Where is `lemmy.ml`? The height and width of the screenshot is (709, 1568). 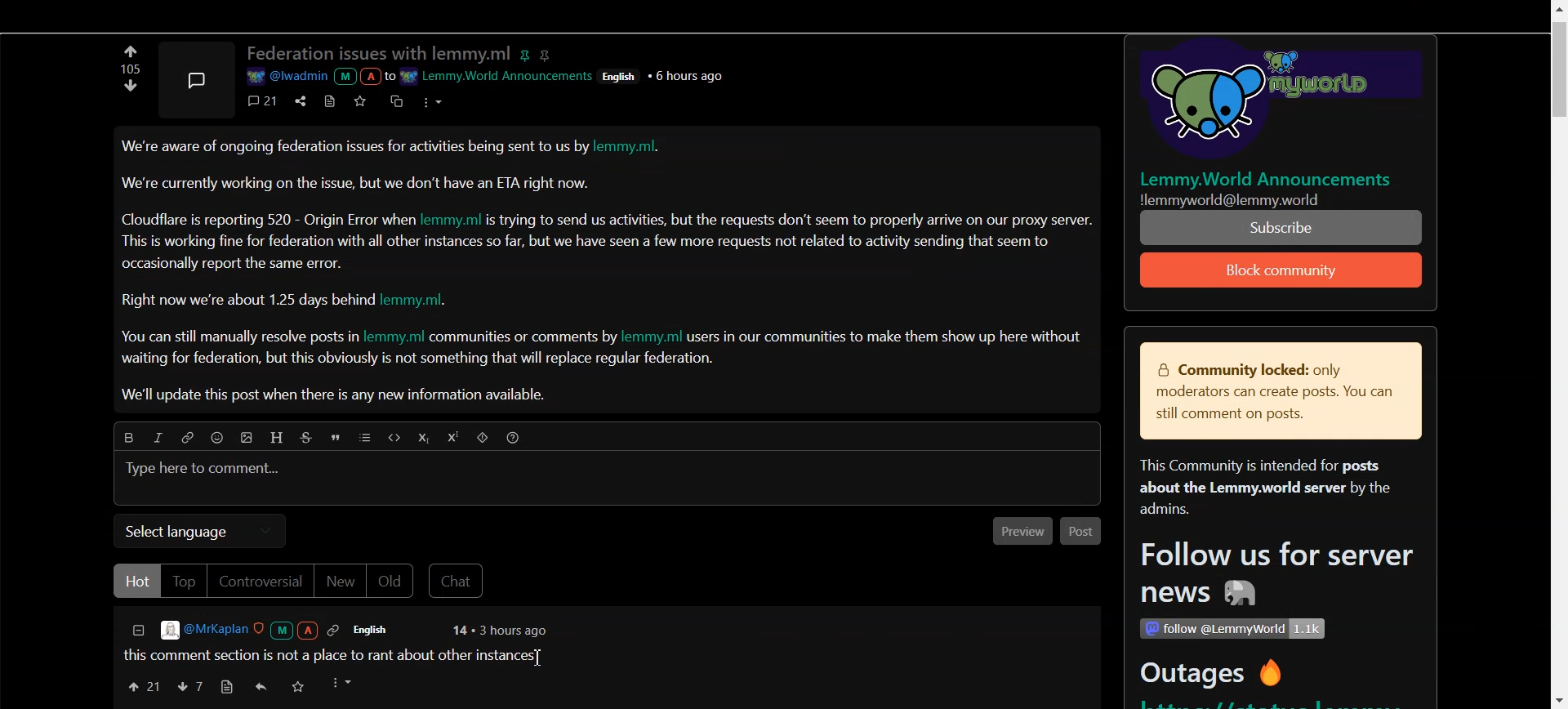
lemmy.ml is located at coordinates (653, 337).